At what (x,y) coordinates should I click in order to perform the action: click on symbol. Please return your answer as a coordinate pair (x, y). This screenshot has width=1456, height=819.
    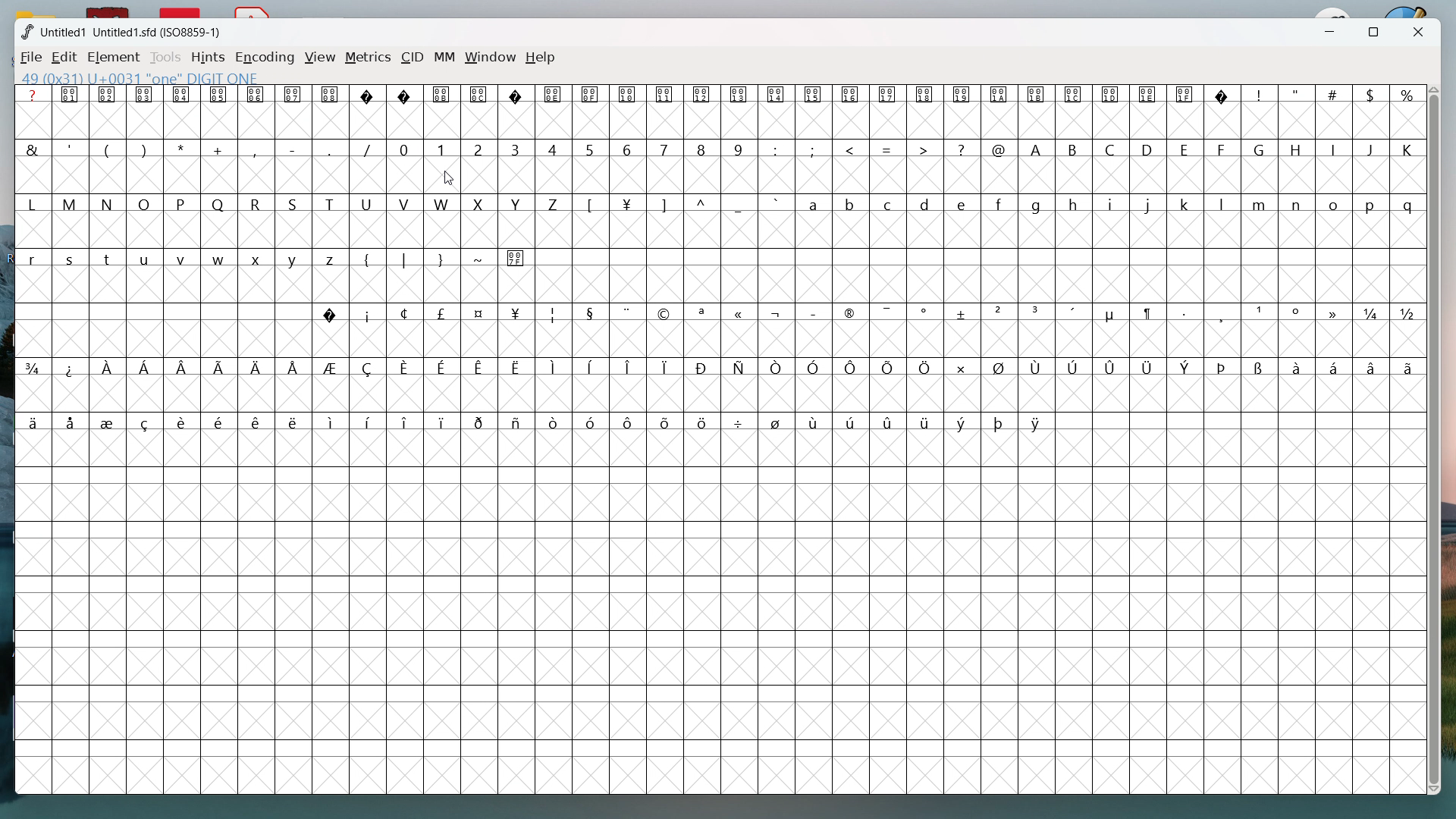
    Looking at the image, I should click on (258, 366).